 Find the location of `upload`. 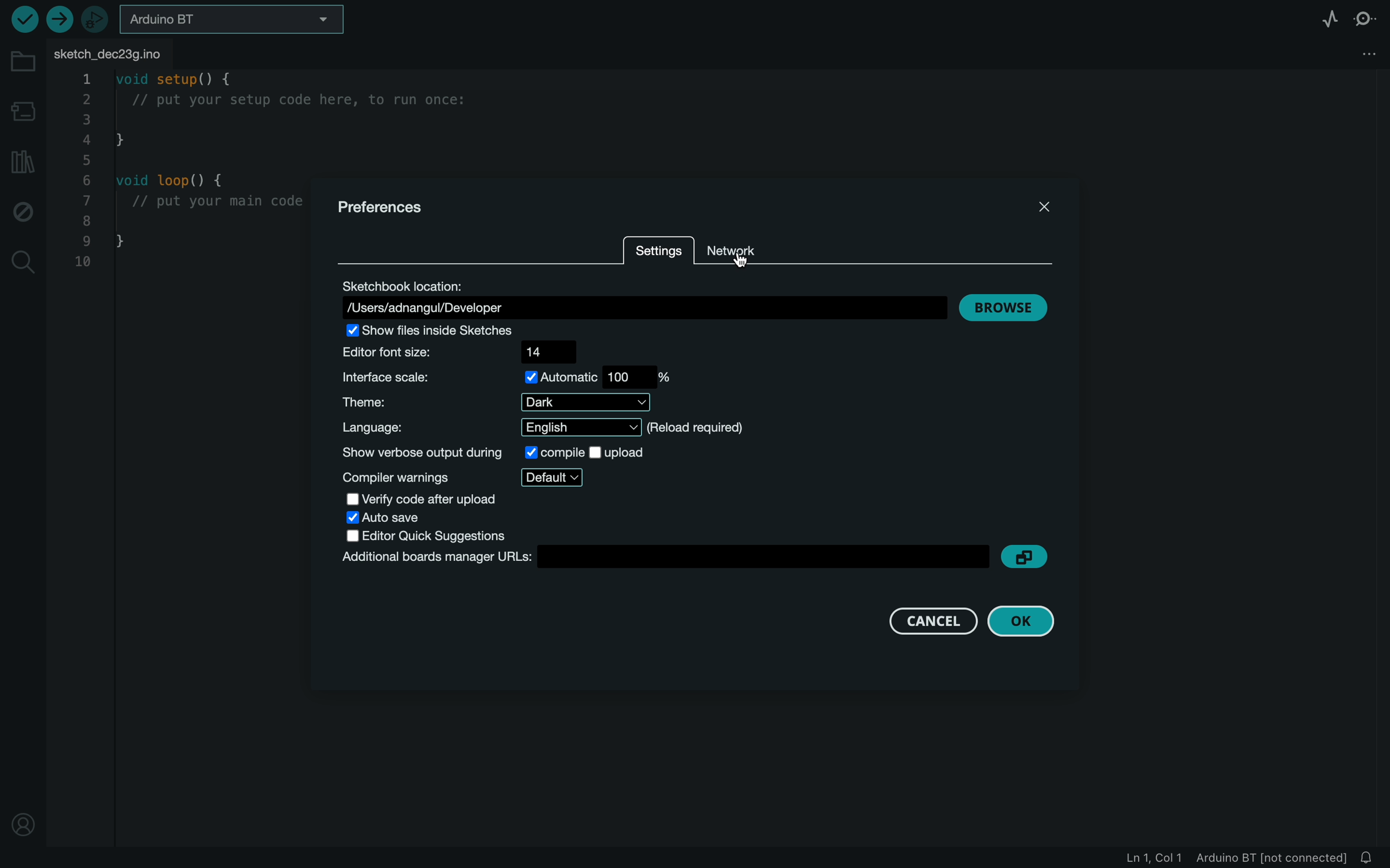

upload is located at coordinates (59, 18).